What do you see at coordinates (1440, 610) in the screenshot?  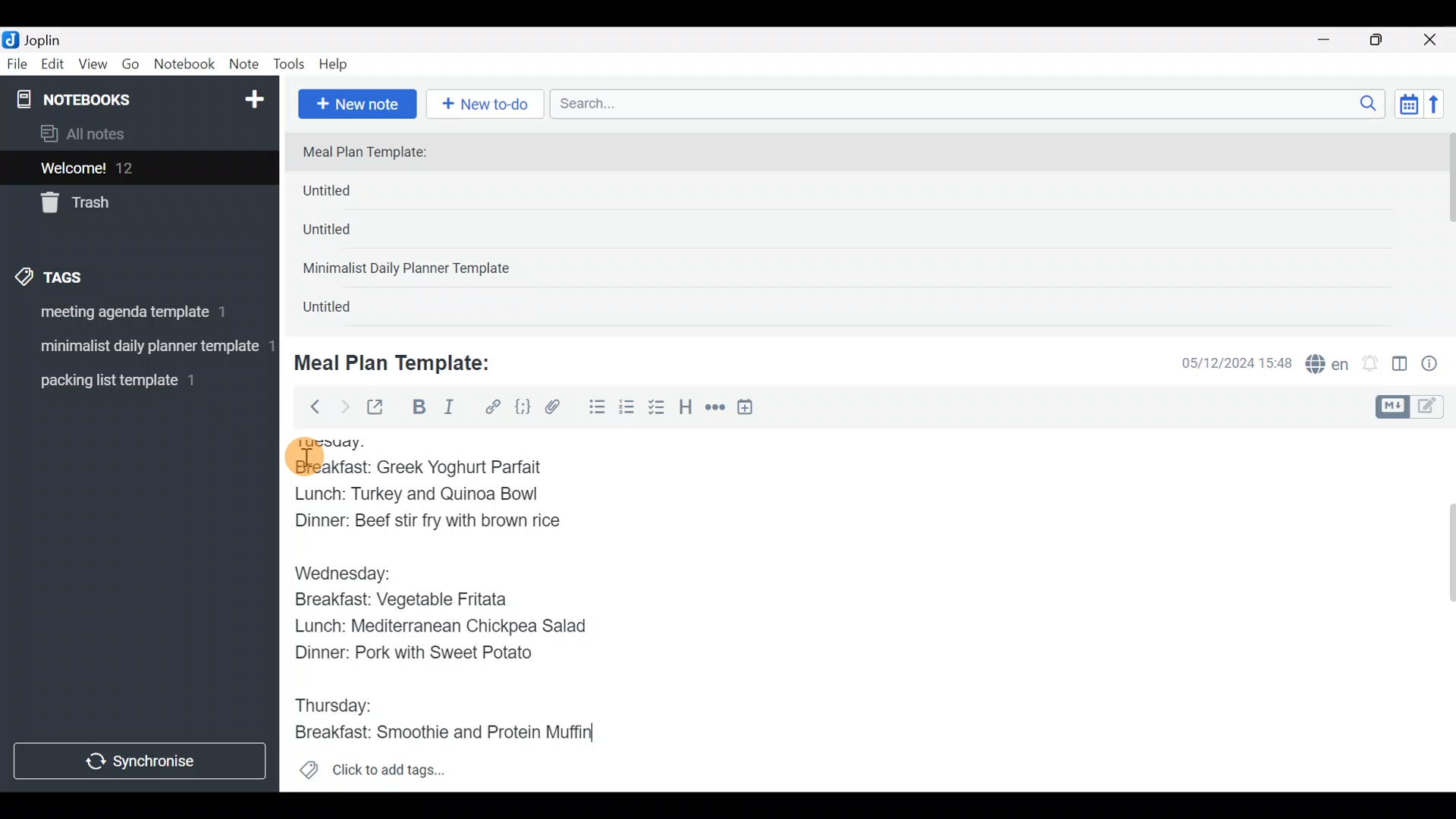 I see `Scroll bar` at bounding box center [1440, 610].